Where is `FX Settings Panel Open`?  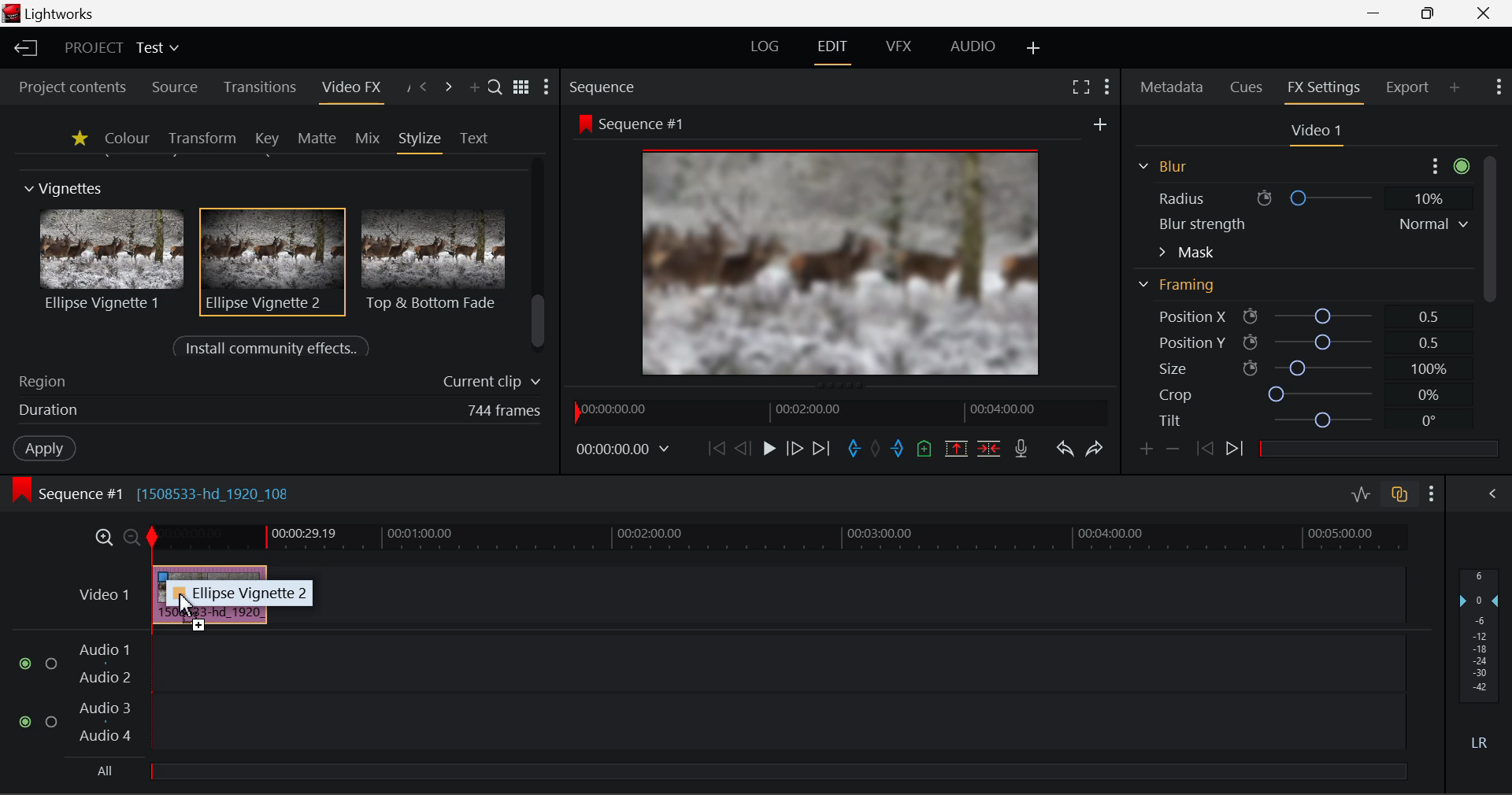
FX Settings Panel Open is located at coordinates (1321, 90).